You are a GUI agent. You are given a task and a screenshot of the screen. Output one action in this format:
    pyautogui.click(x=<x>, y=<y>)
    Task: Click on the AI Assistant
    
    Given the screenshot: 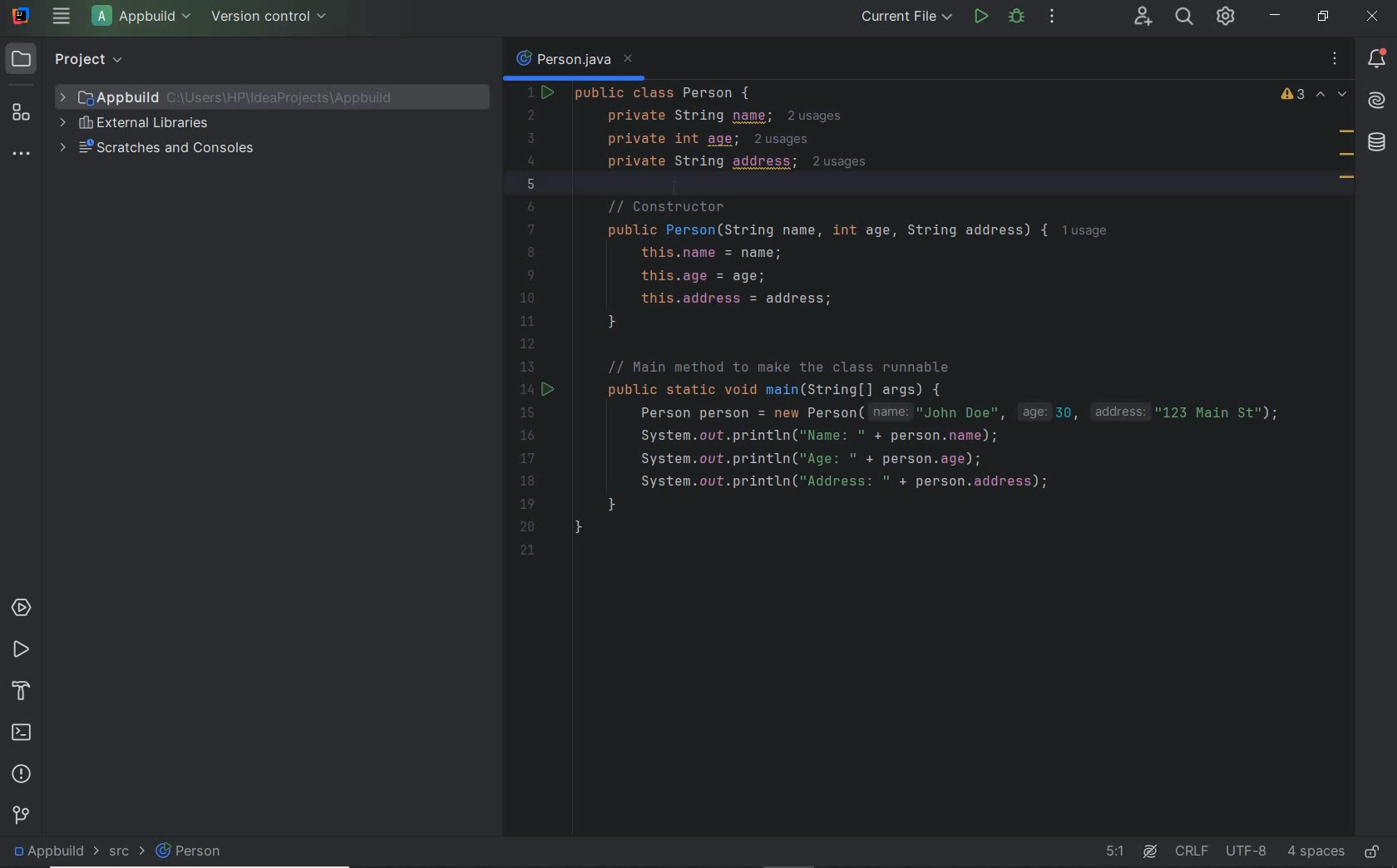 What is the action you would take?
    pyautogui.click(x=1149, y=852)
    